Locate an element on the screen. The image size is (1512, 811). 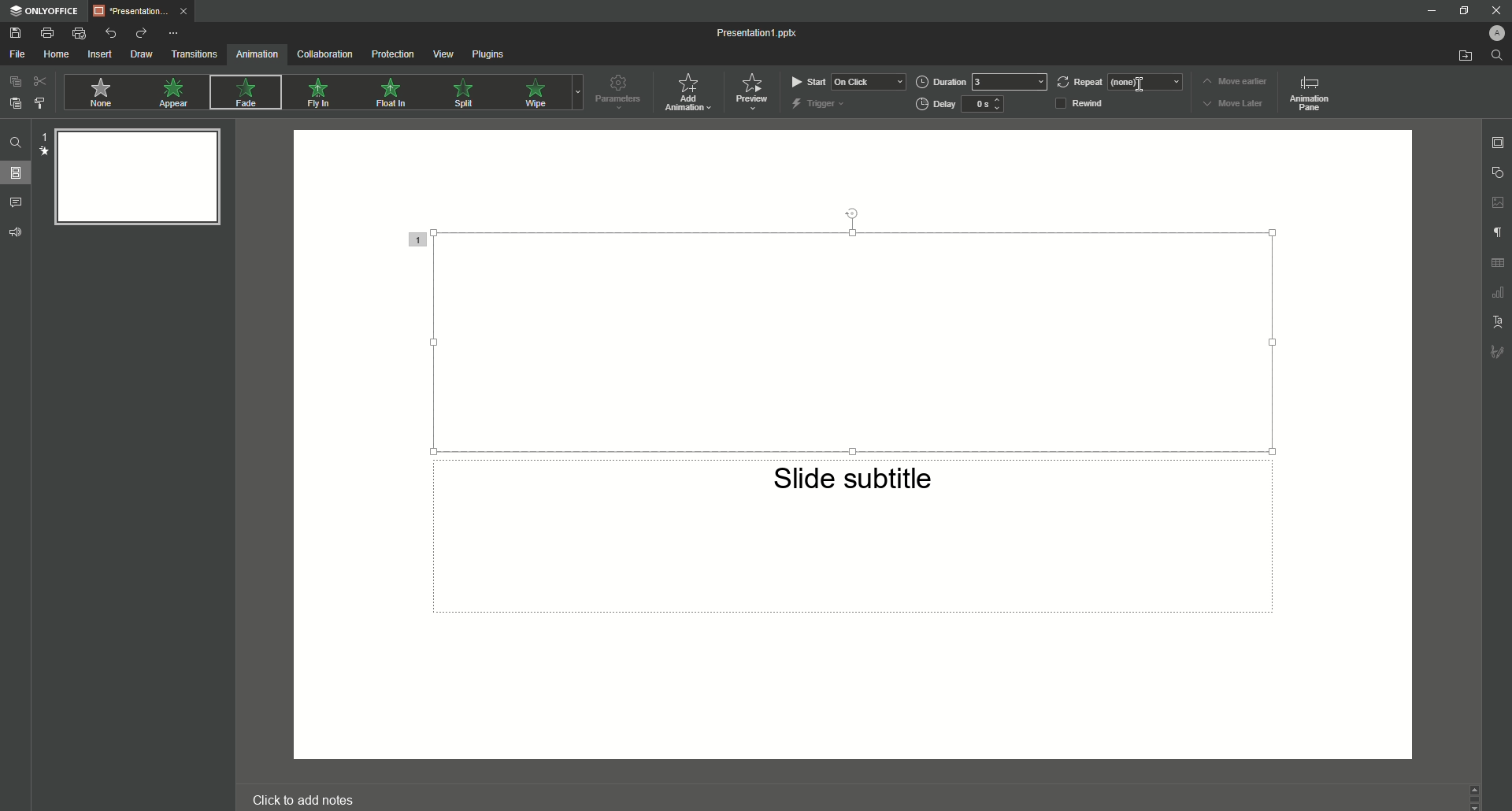
Transitions is located at coordinates (195, 54).